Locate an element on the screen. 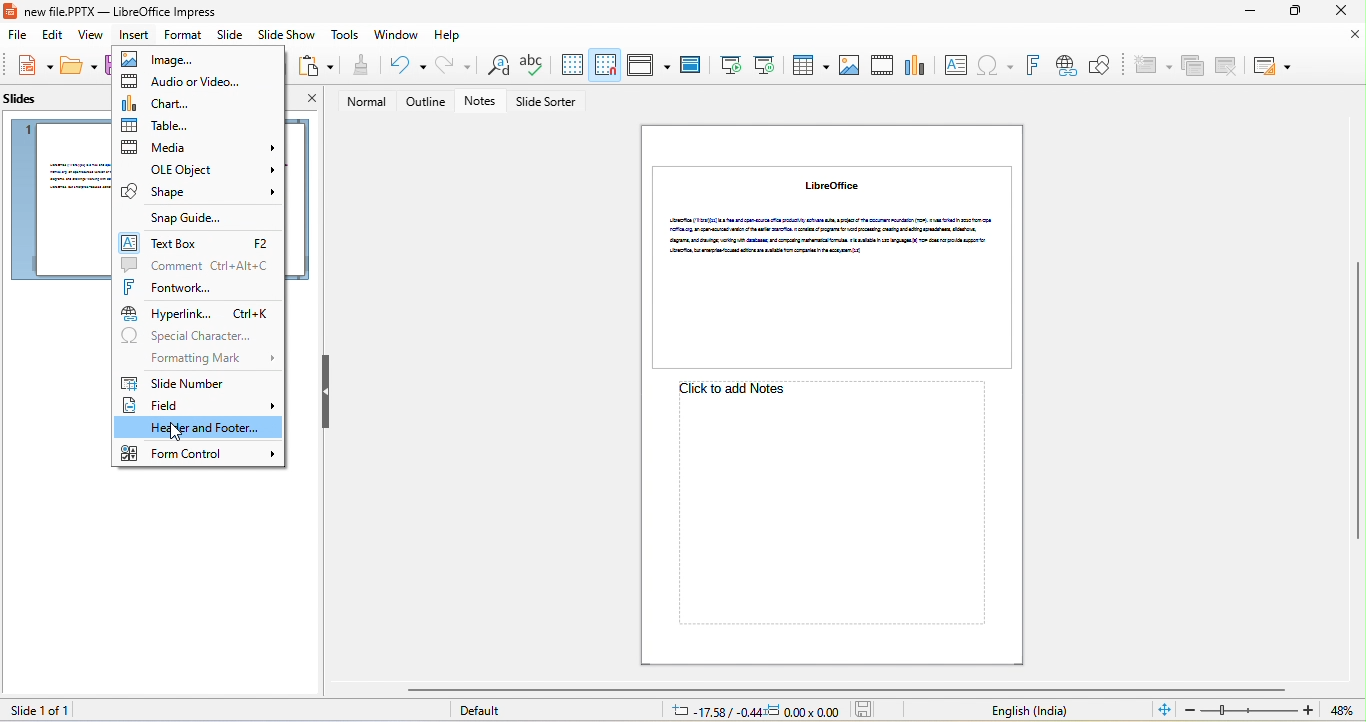 The height and width of the screenshot is (722, 1366). minimize is located at coordinates (1246, 13).